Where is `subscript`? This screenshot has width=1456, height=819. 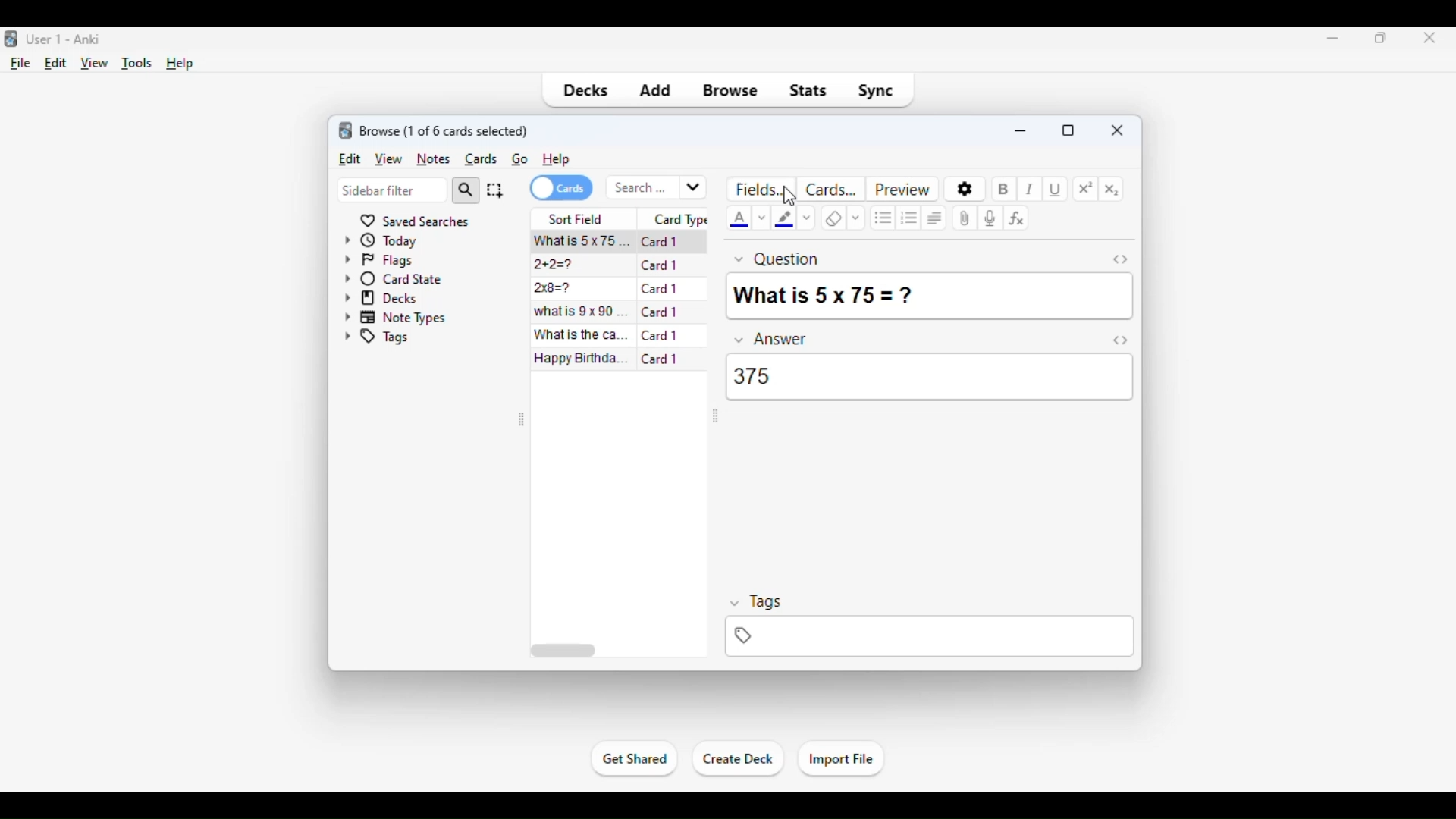
subscript is located at coordinates (1112, 190).